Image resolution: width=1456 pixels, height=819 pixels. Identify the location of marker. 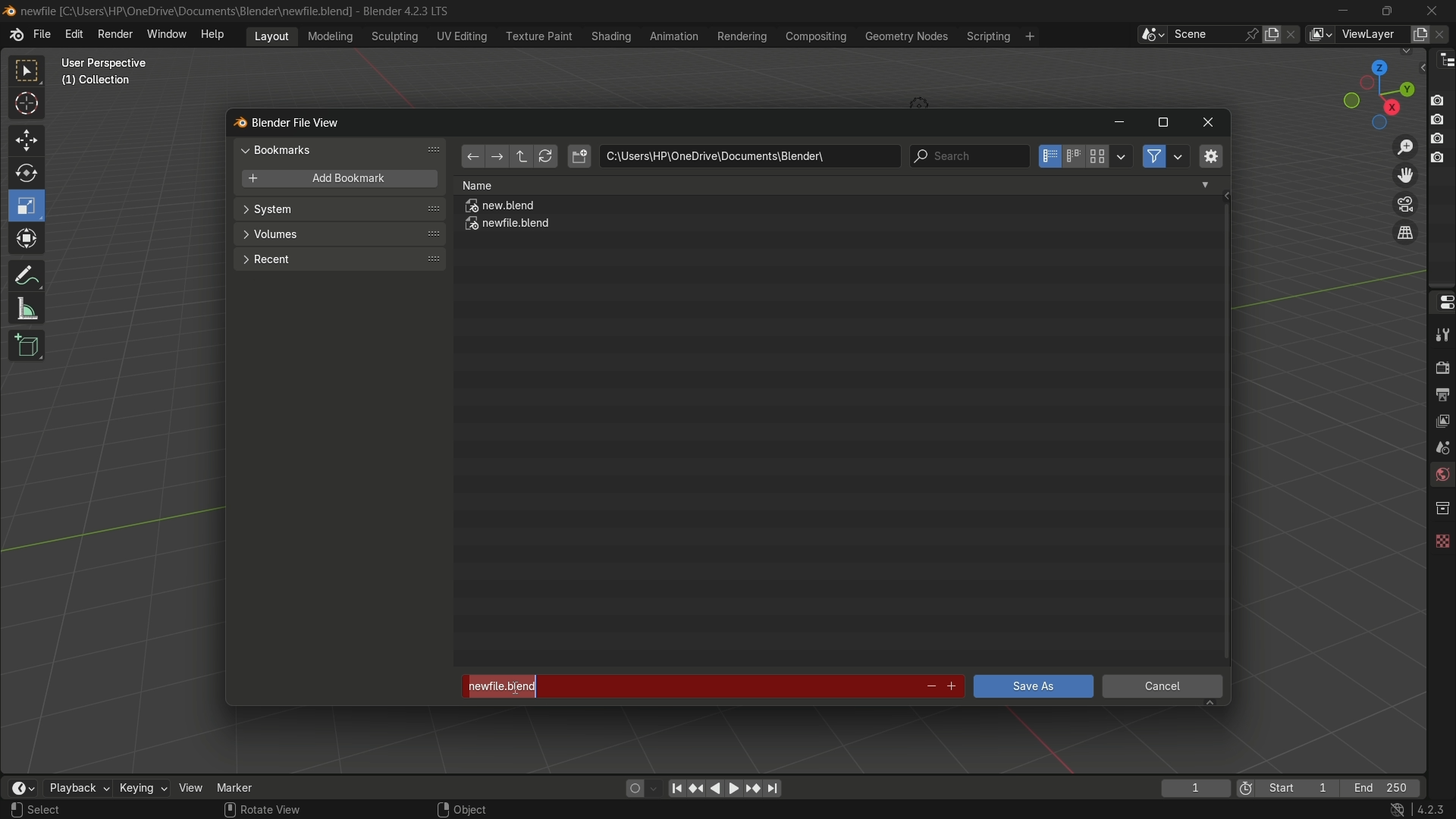
(246, 786).